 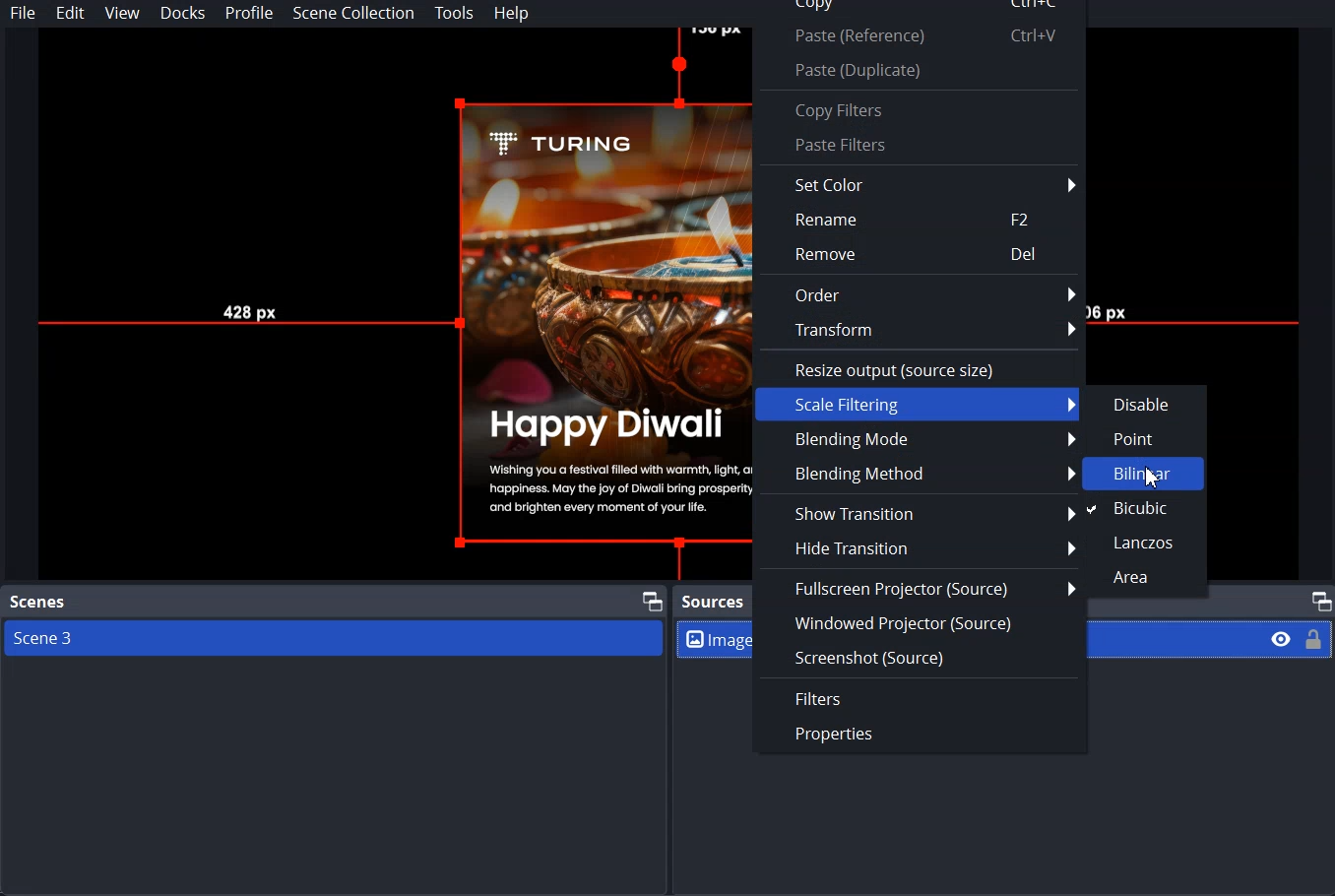 I want to click on Resize output, so click(x=921, y=367).